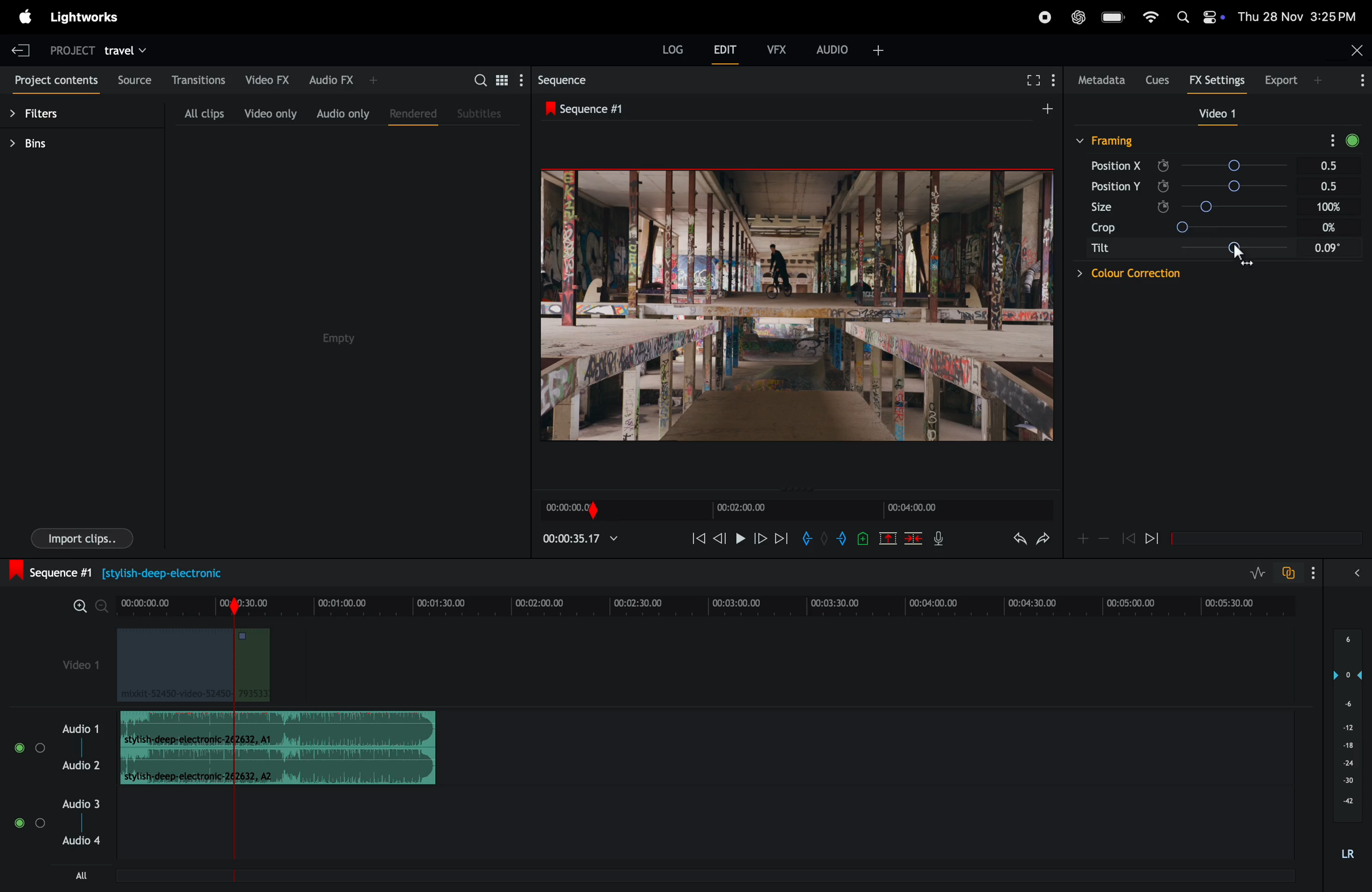 The width and height of the screenshot is (1372, 892). What do you see at coordinates (229, 841) in the screenshot?
I see `playback marker` at bounding box center [229, 841].